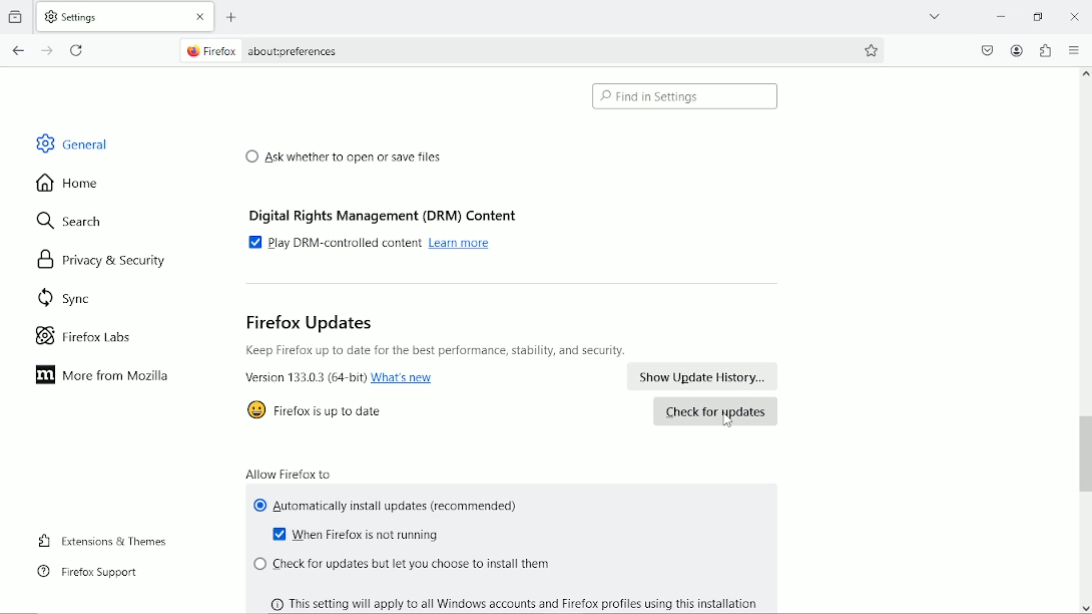  What do you see at coordinates (1016, 50) in the screenshot?
I see `account` at bounding box center [1016, 50].